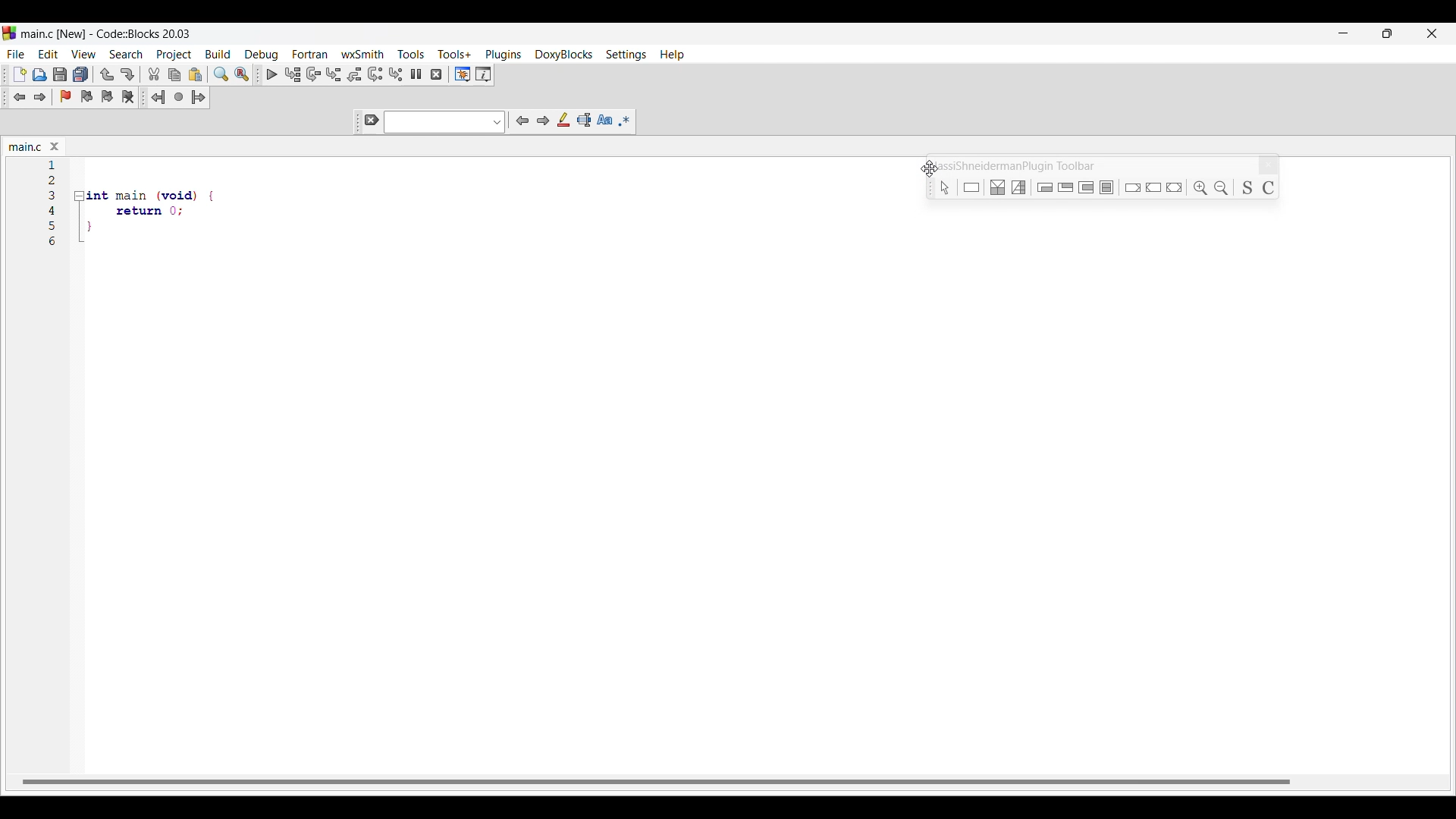 The width and height of the screenshot is (1456, 819). Describe the element at coordinates (584, 120) in the screenshot. I see `Selected text` at that location.